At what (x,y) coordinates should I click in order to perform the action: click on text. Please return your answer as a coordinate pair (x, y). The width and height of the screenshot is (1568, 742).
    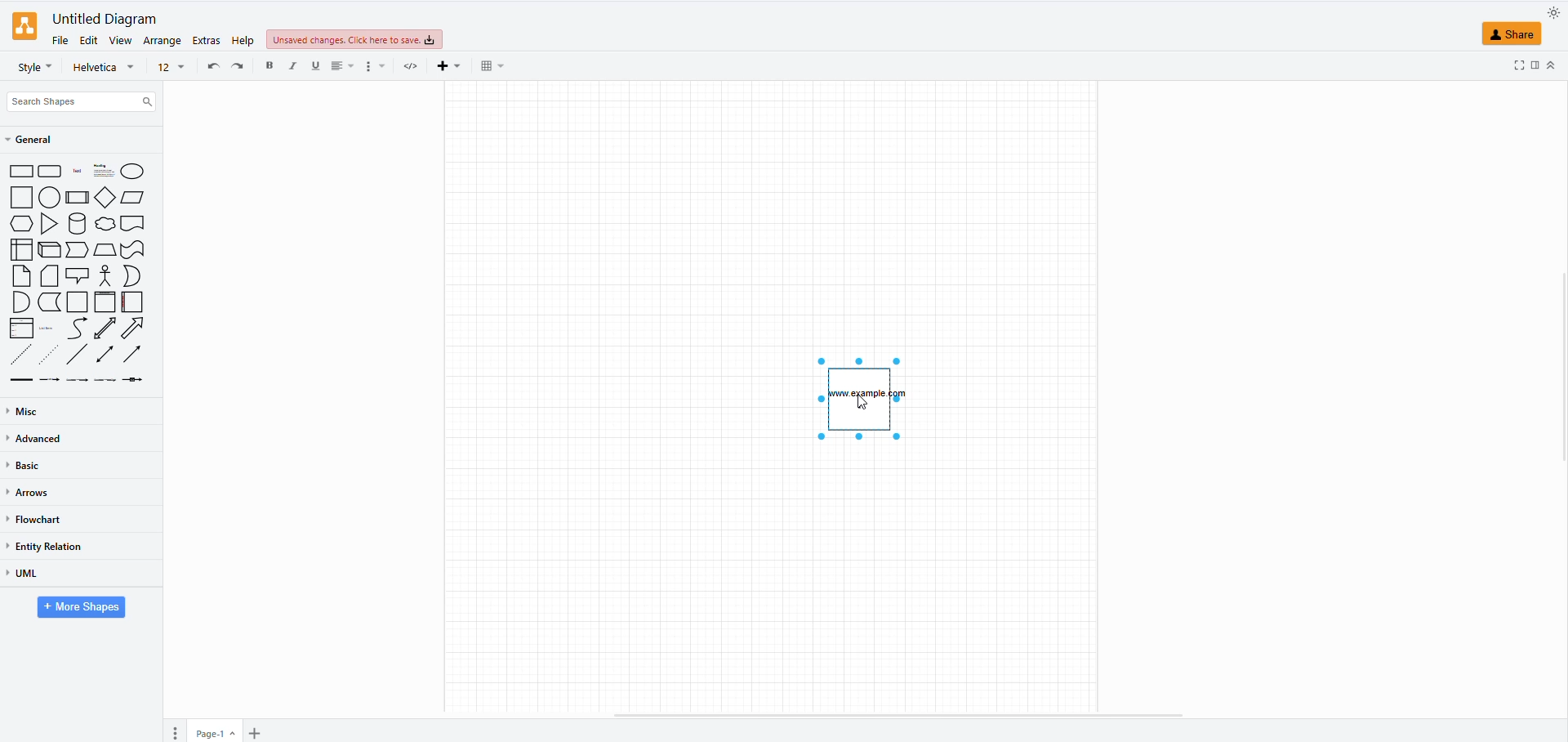
    Looking at the image, I should click on (76, 172).